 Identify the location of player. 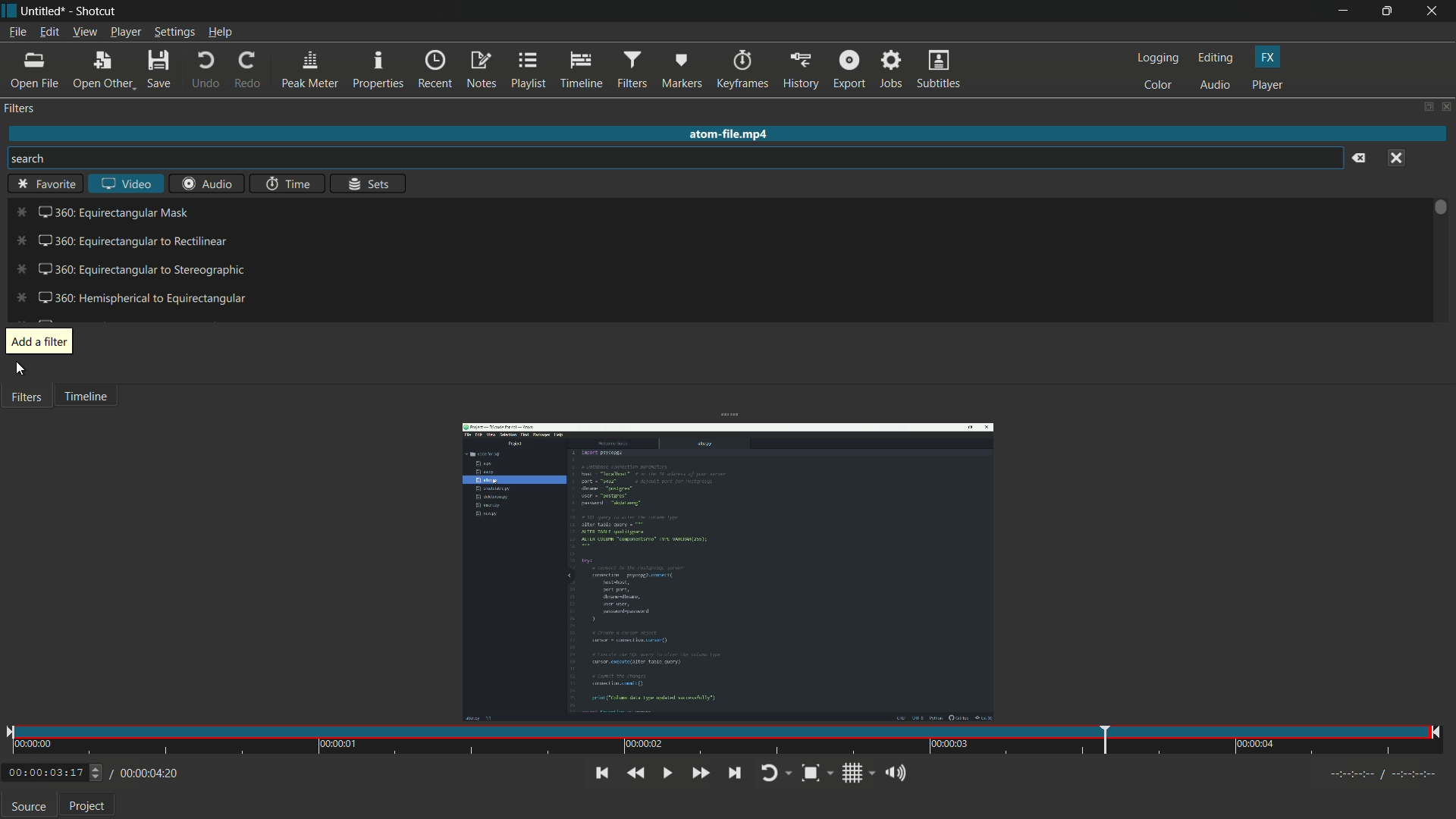
(1270, 85).